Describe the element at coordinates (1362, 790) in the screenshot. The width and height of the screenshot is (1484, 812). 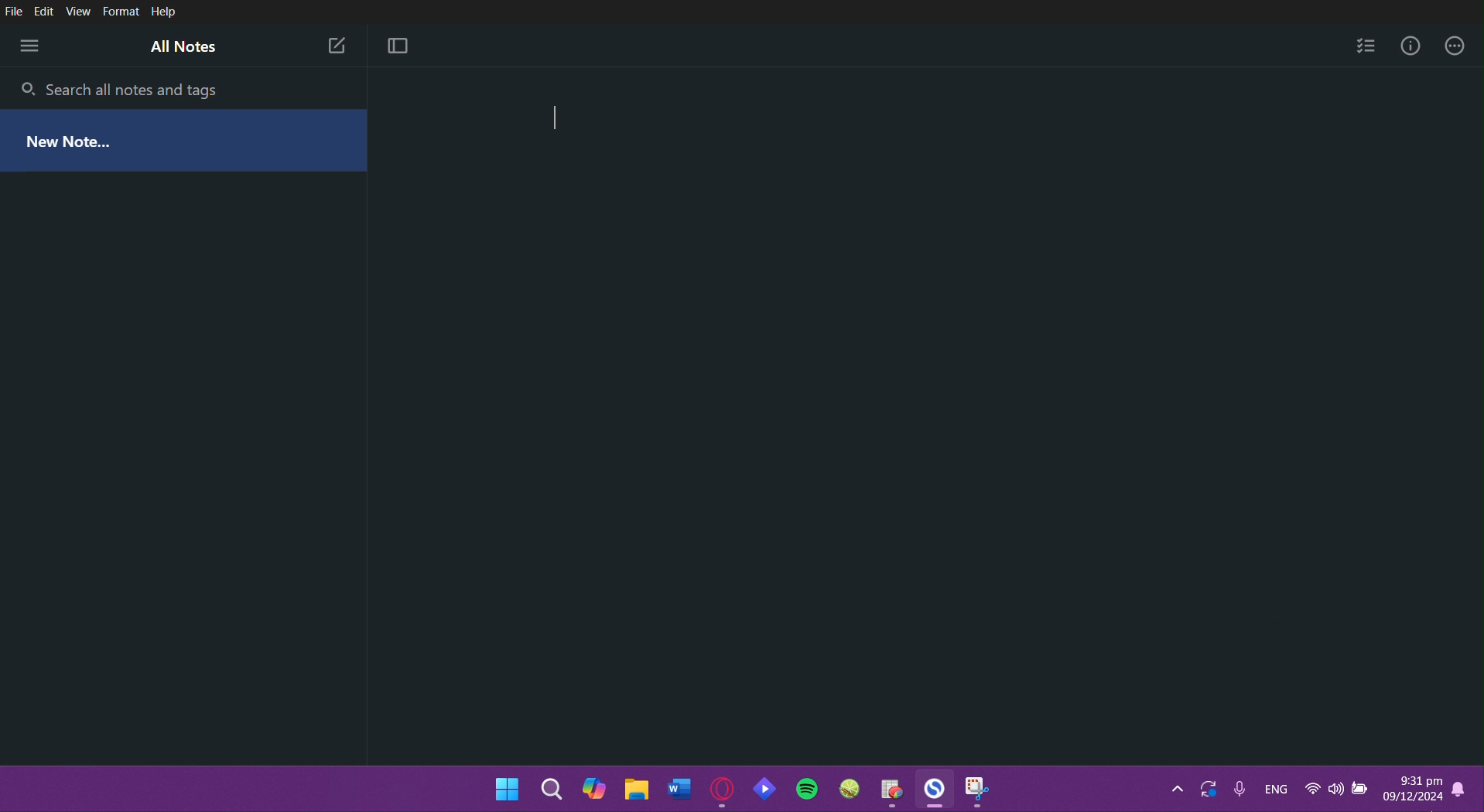
I see `battery` at that location.